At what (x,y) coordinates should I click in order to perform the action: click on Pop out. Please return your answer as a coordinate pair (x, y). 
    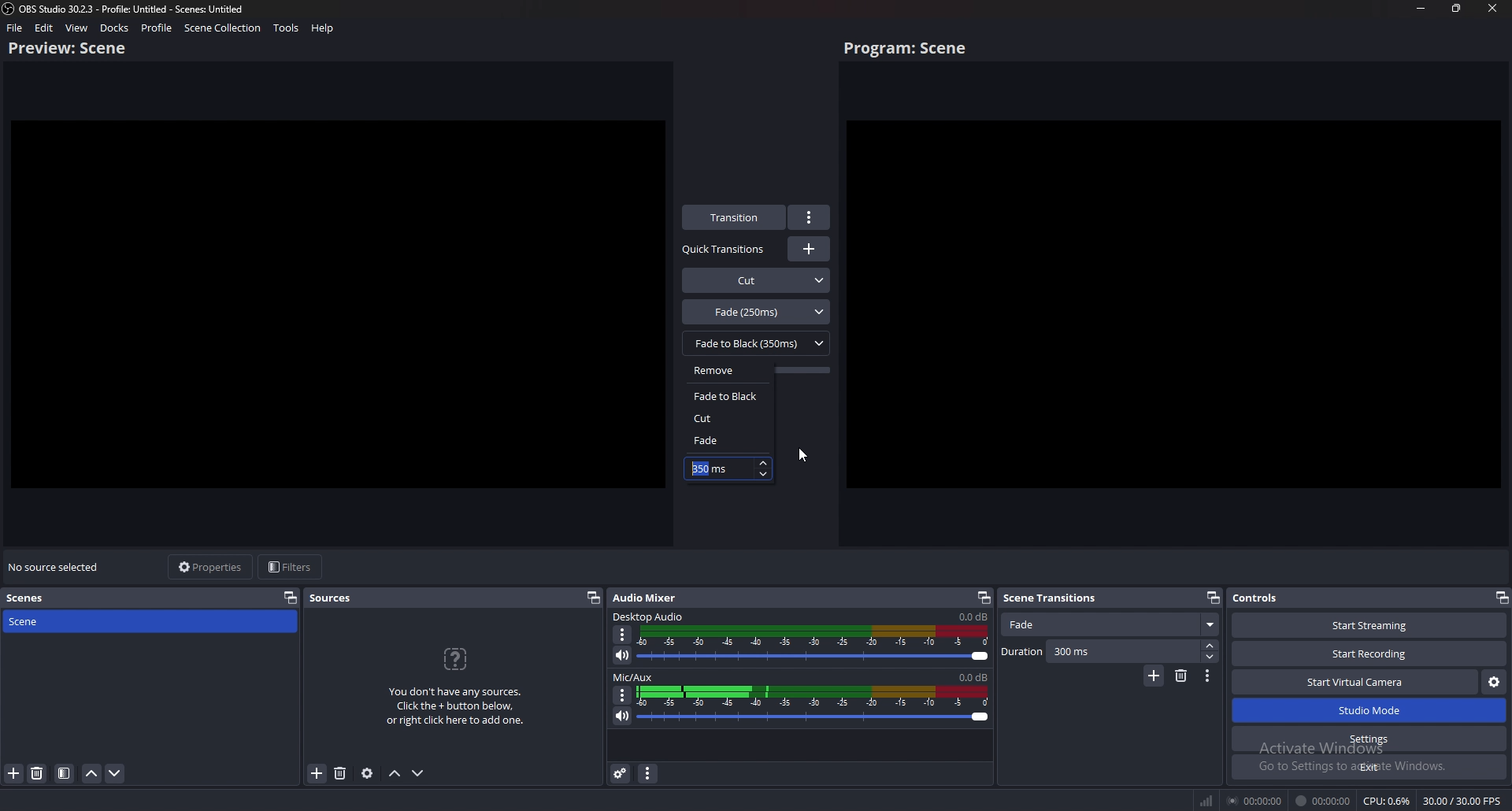
    Looking at the image, I should click on (1213, 597).